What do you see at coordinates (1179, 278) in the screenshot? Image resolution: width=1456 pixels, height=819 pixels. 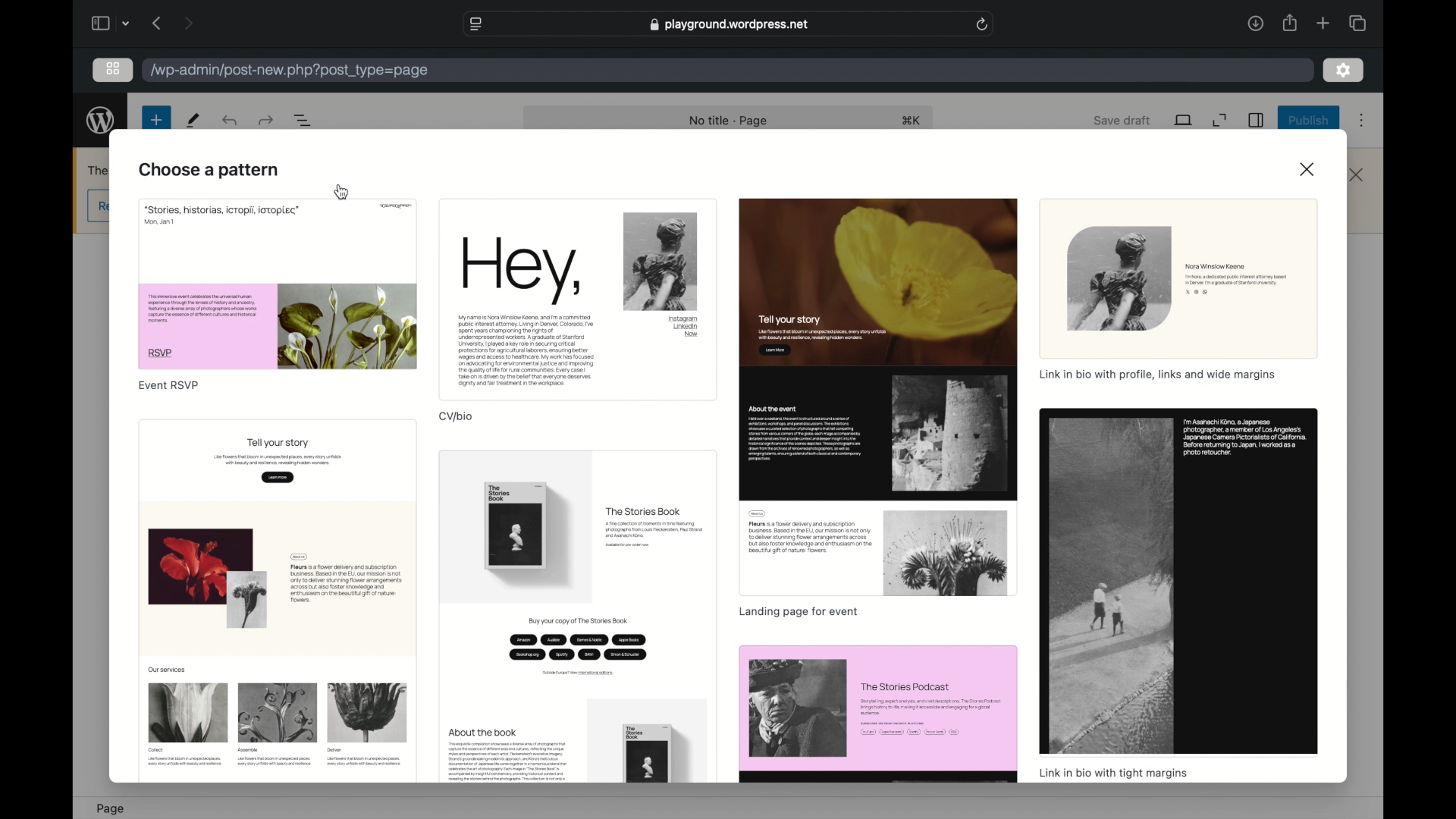 I see `preview` at bounding box center [1179, 278].